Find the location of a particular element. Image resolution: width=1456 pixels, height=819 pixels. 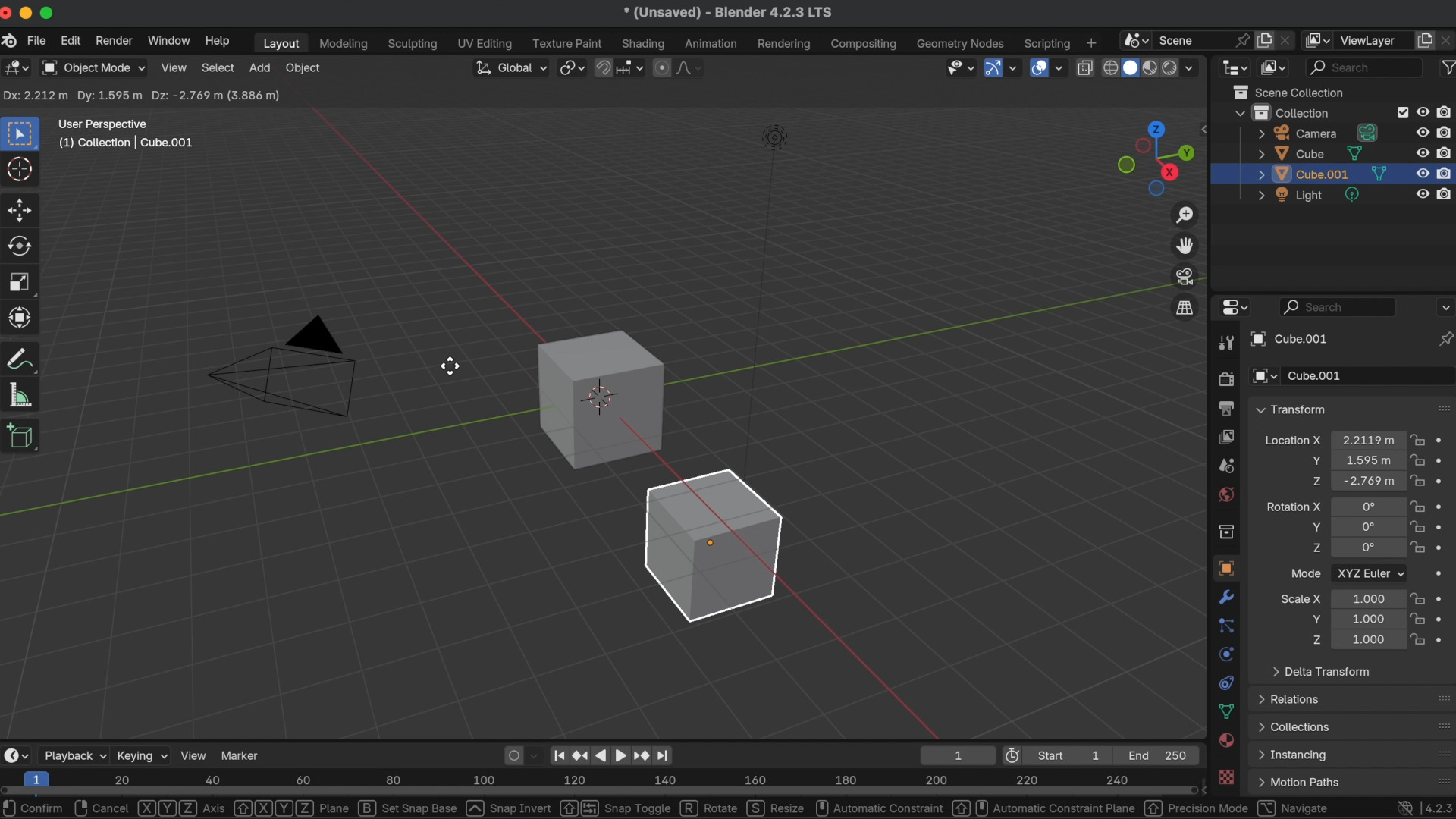

active workspace view layer is located at coordinates (1319, 39).